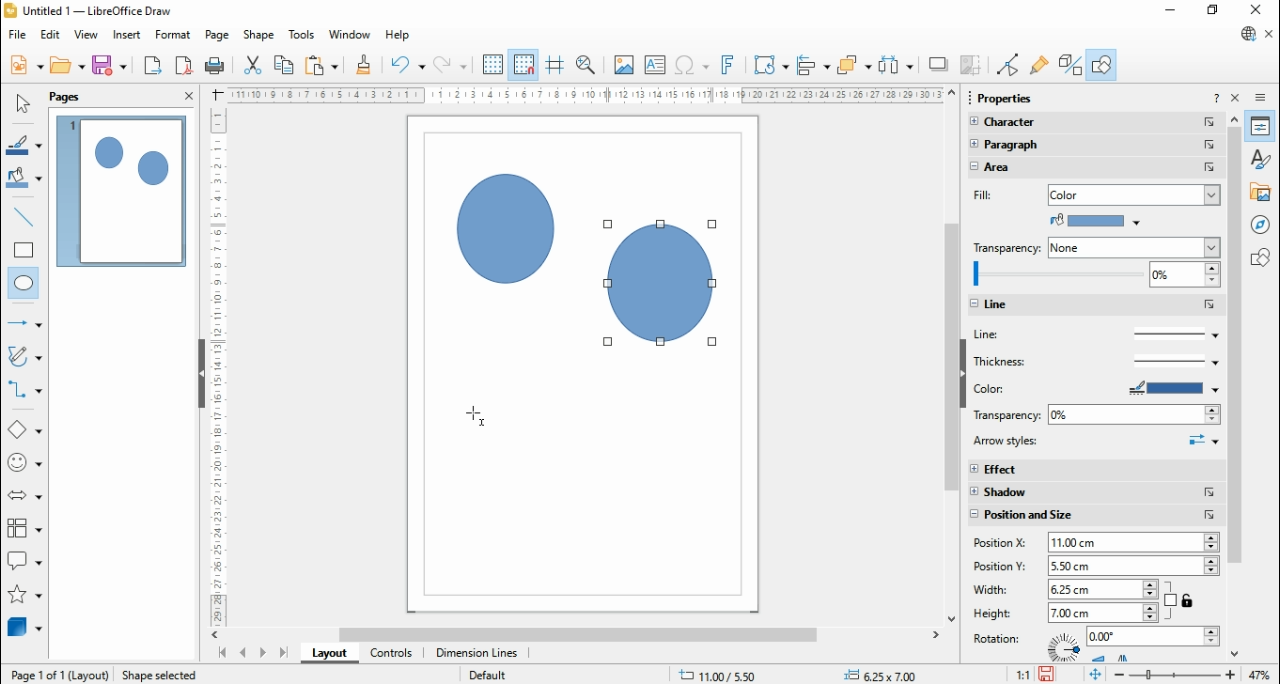 This screenshot has width=1280, height=684. What do you see at coordinates (555, 65) in the screenshot?
I see `helplines while moving` at bounding box center [555, 65].